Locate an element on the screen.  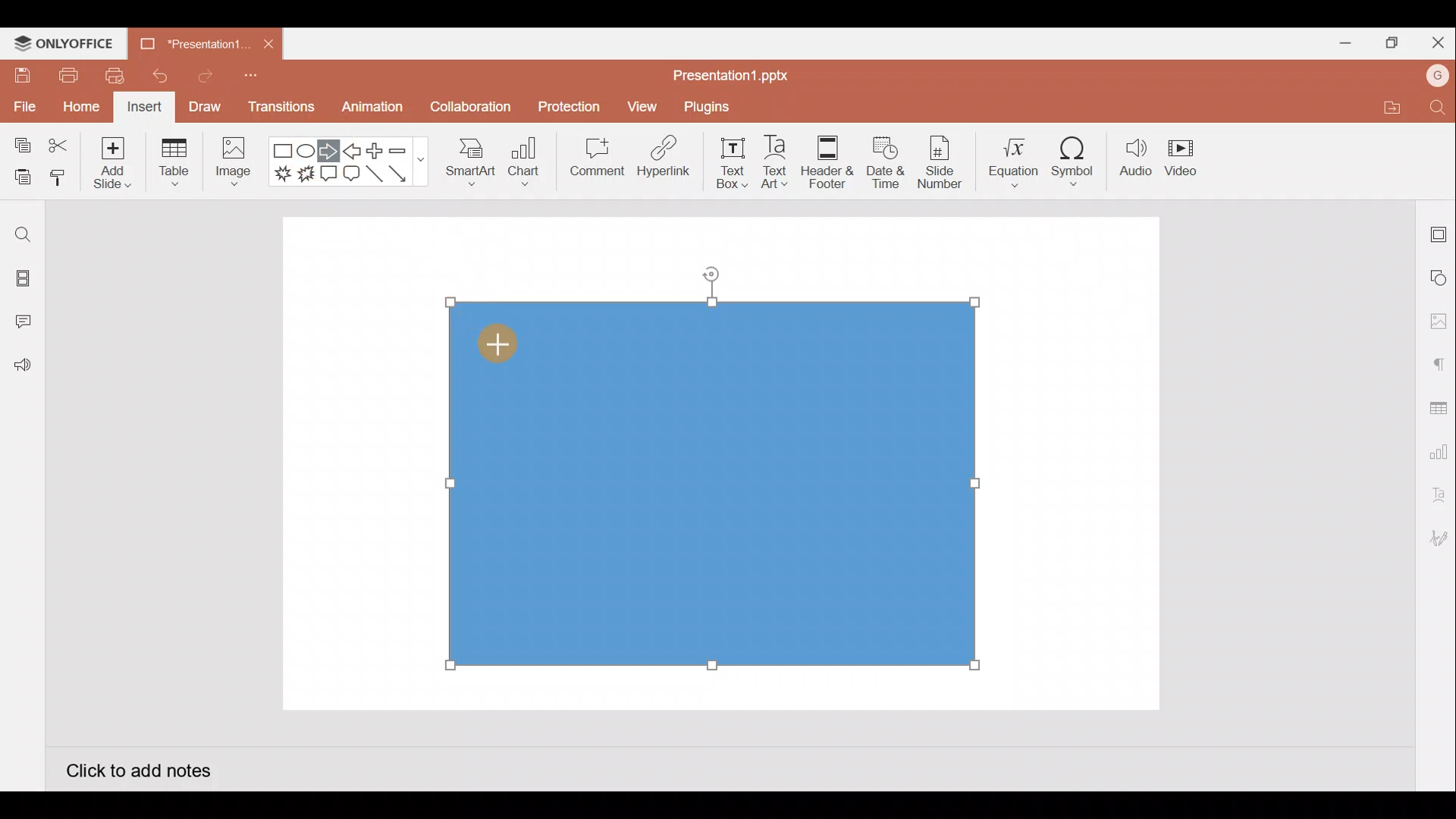
Inserted rectangle shape on presentation slide is located at coordinates (711, 480).